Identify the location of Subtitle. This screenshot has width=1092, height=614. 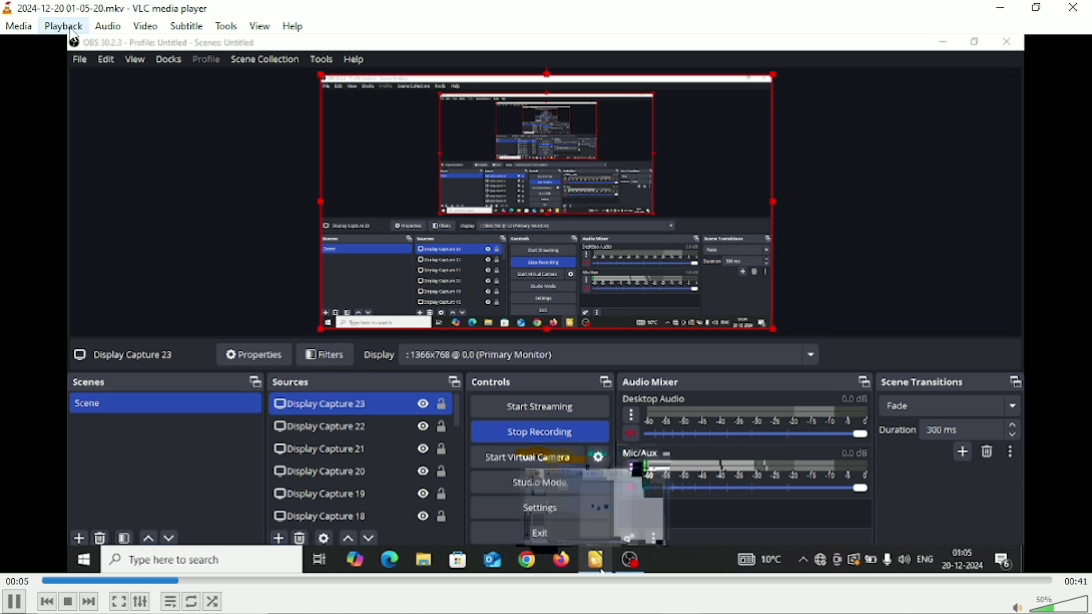
(186, 25).